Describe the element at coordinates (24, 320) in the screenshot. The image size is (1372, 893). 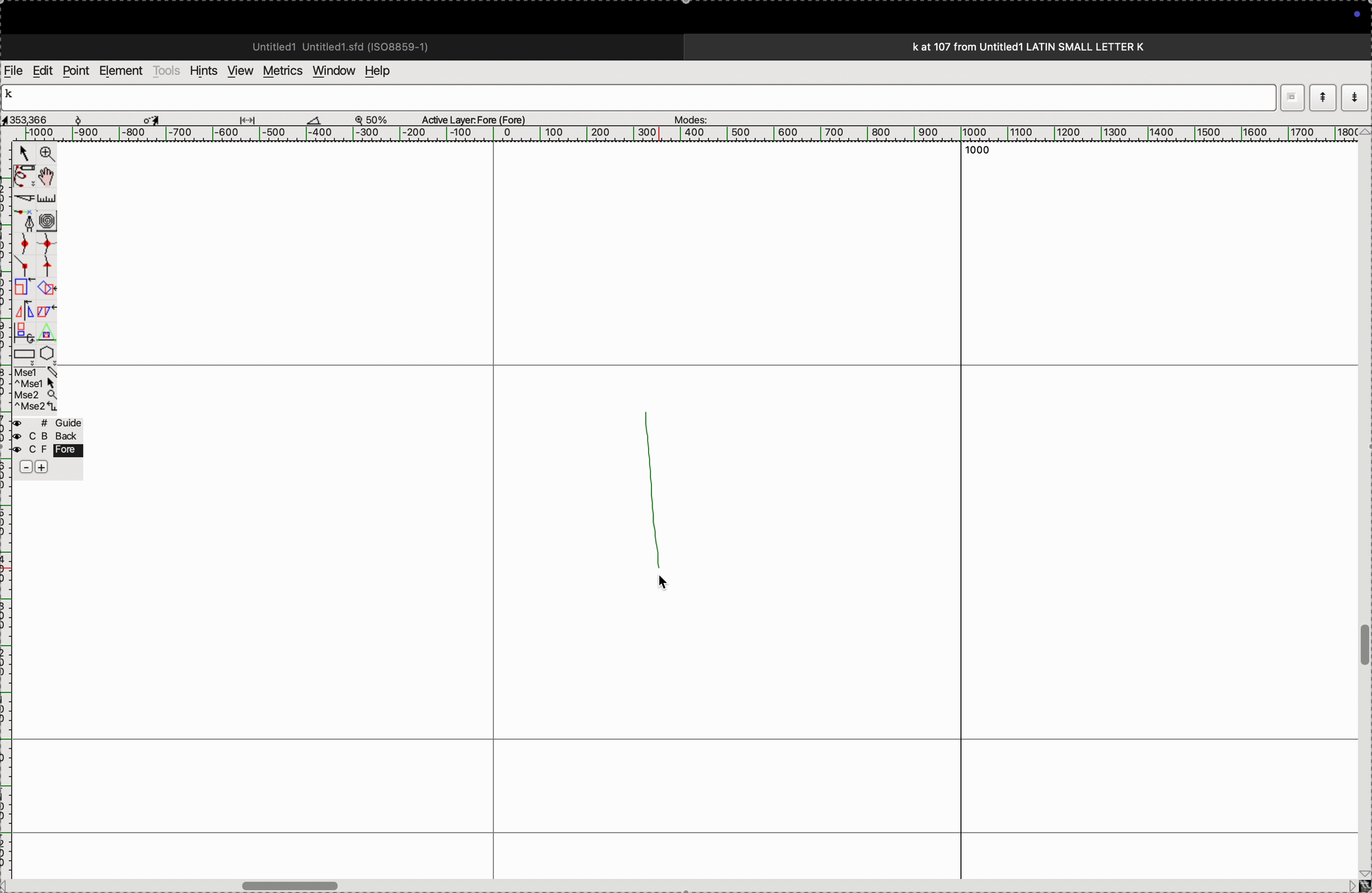
I see `mirror` at that location.